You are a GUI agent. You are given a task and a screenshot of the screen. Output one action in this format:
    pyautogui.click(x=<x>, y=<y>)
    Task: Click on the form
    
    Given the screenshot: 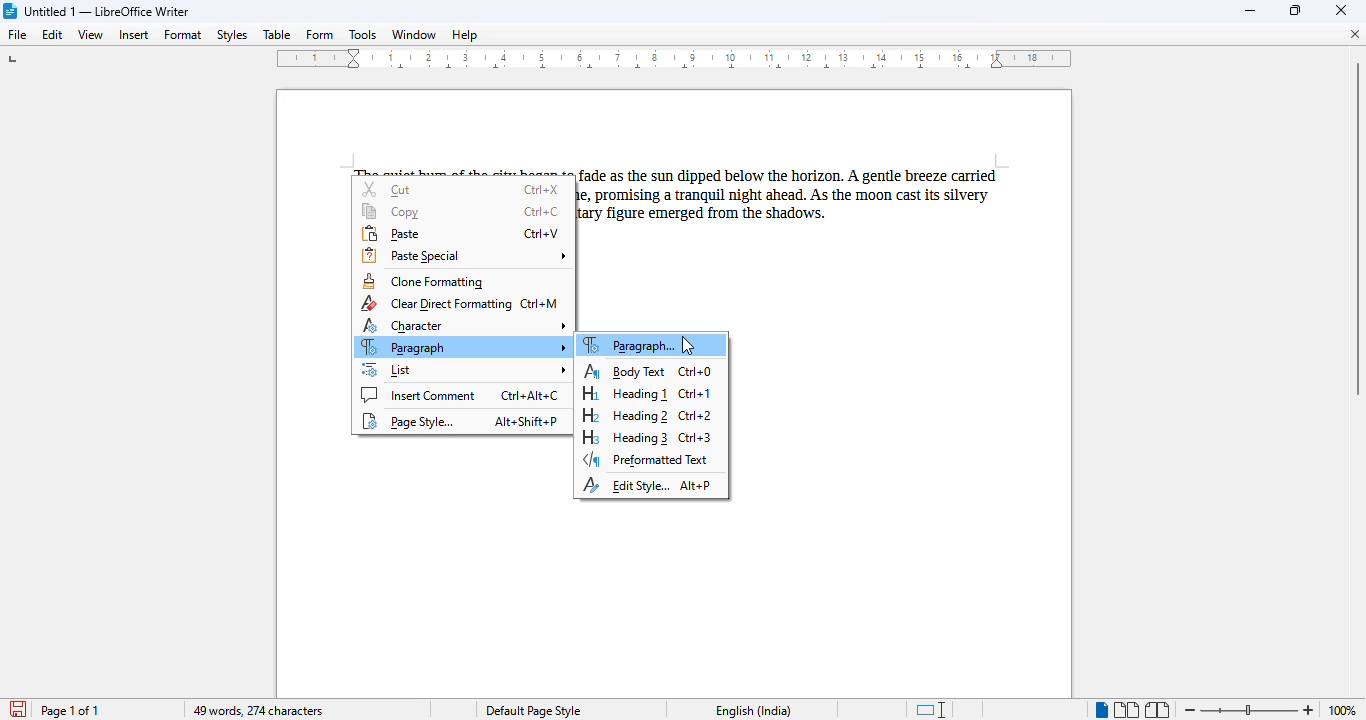 What is the action you would take?
    pyautogui.click(x=319, y=32)
    